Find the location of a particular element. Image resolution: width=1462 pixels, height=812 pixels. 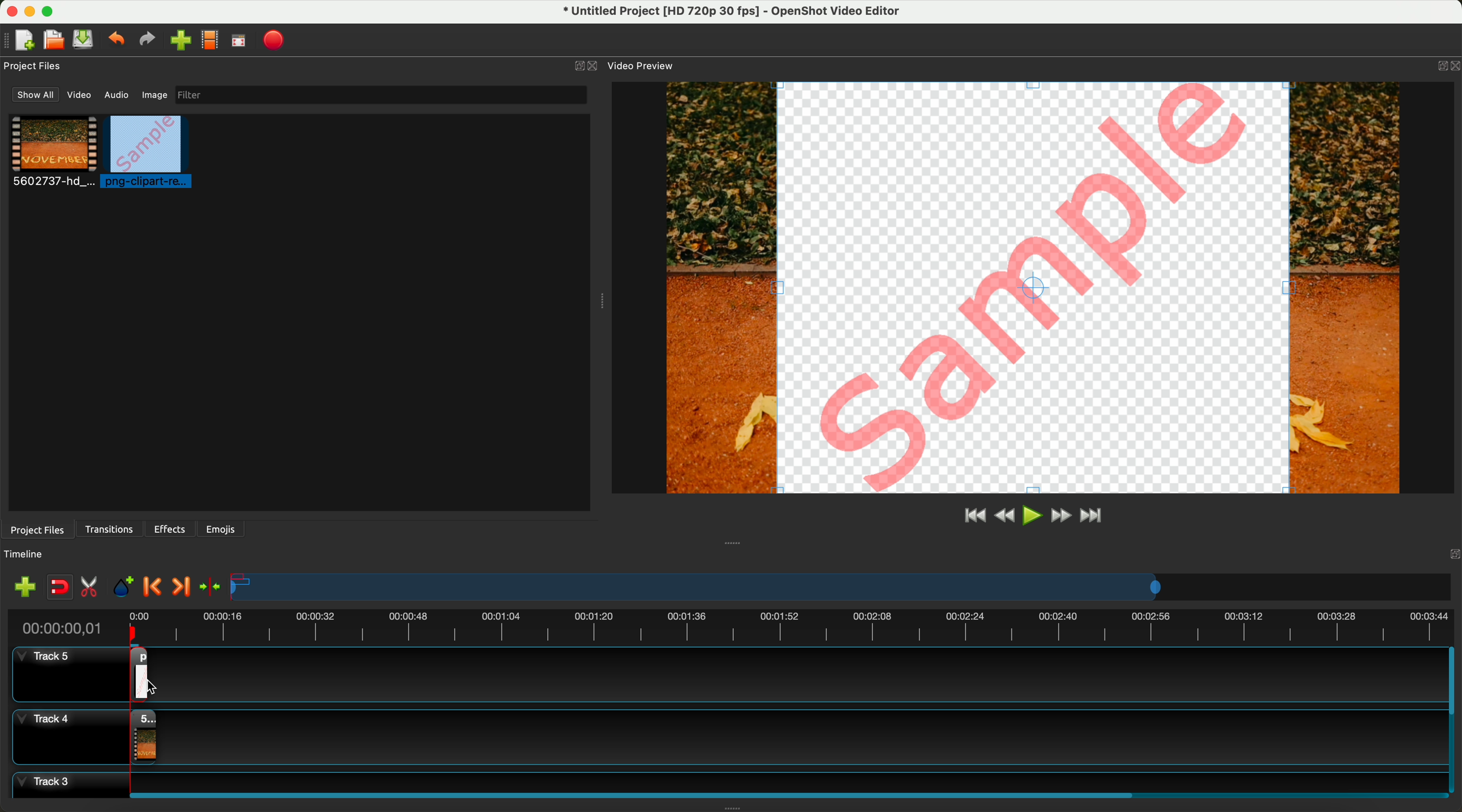

filter is located at coordinates (378, 95).